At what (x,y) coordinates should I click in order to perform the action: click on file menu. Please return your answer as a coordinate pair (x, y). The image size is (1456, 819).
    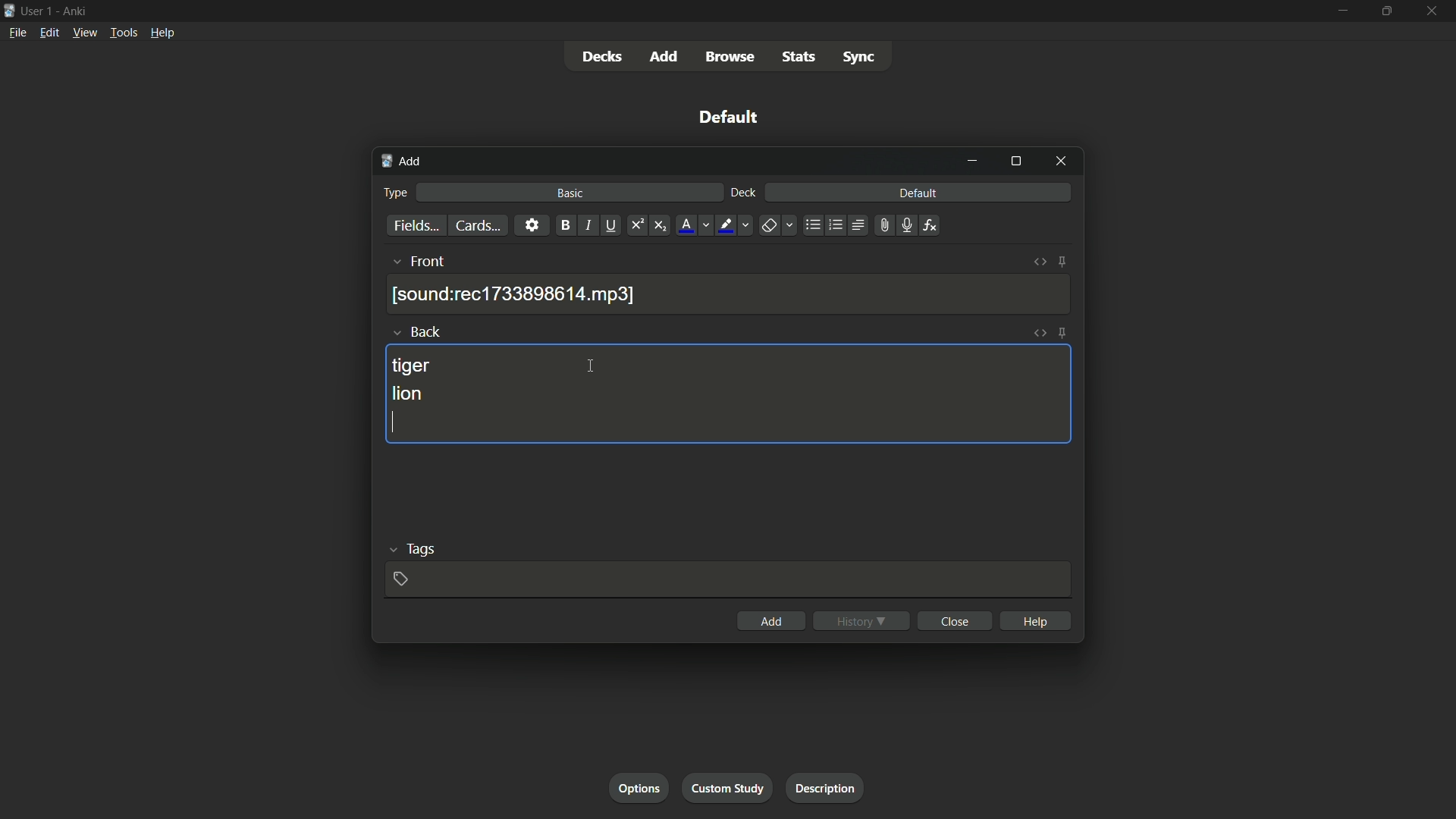
    Looking at the image, I should click on (18, 32).